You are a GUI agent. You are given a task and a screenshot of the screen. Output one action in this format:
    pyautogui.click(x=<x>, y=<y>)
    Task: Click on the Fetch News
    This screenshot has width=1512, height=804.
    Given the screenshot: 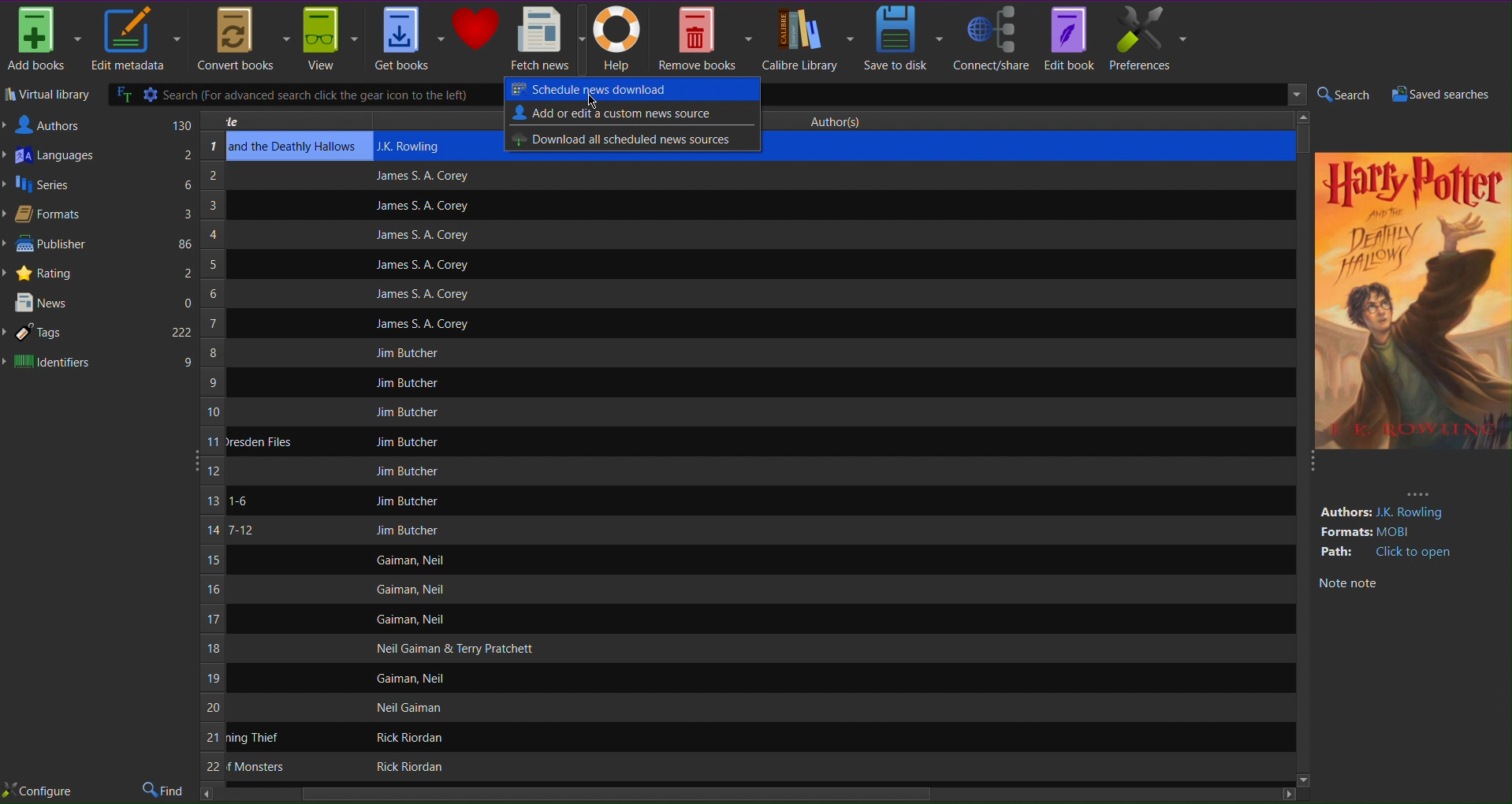 What is the action you would take?
    pyautogui.click(x=547, y=39)
    